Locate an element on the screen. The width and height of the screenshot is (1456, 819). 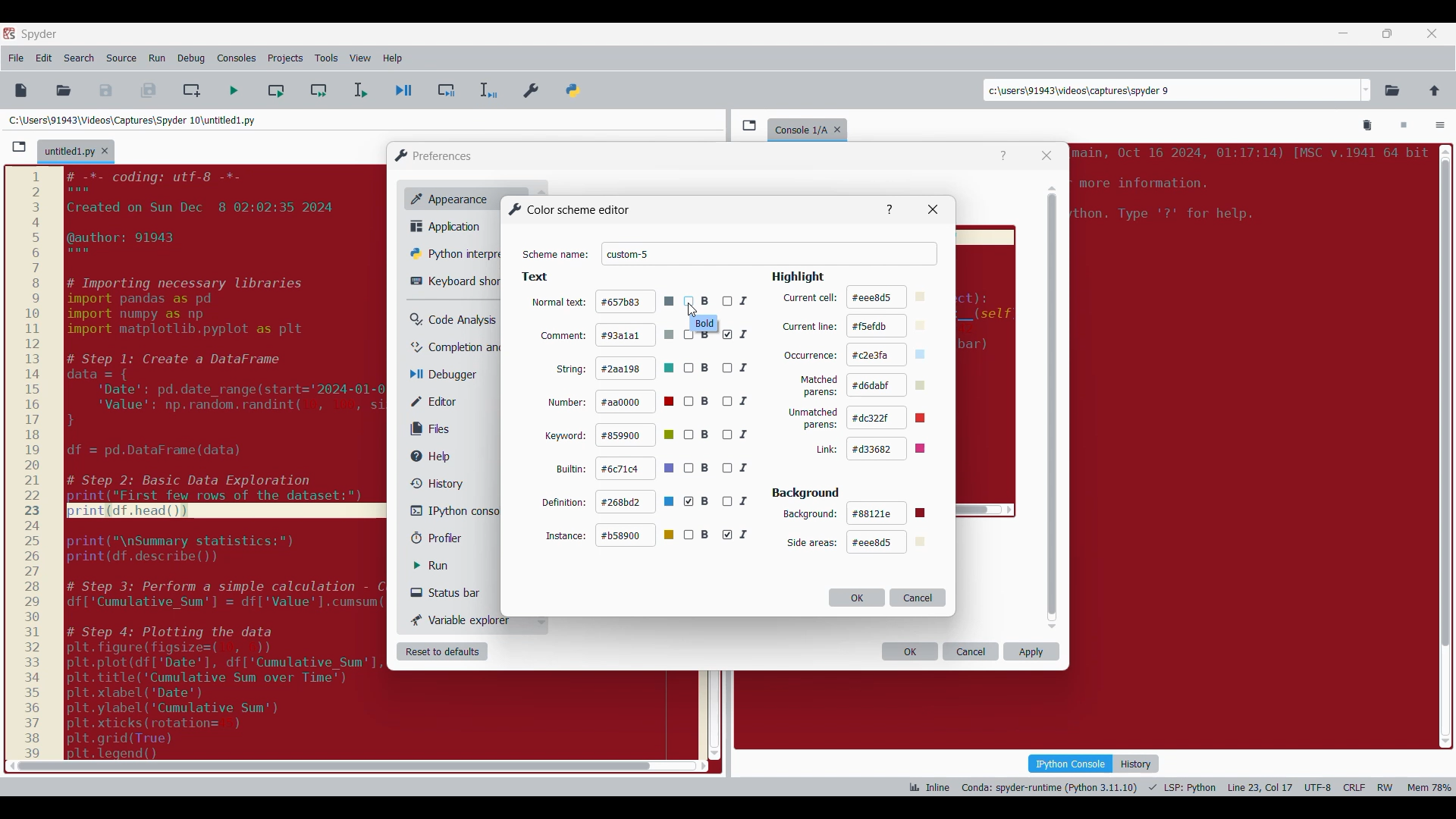
B is located at coordinates (697, 469).